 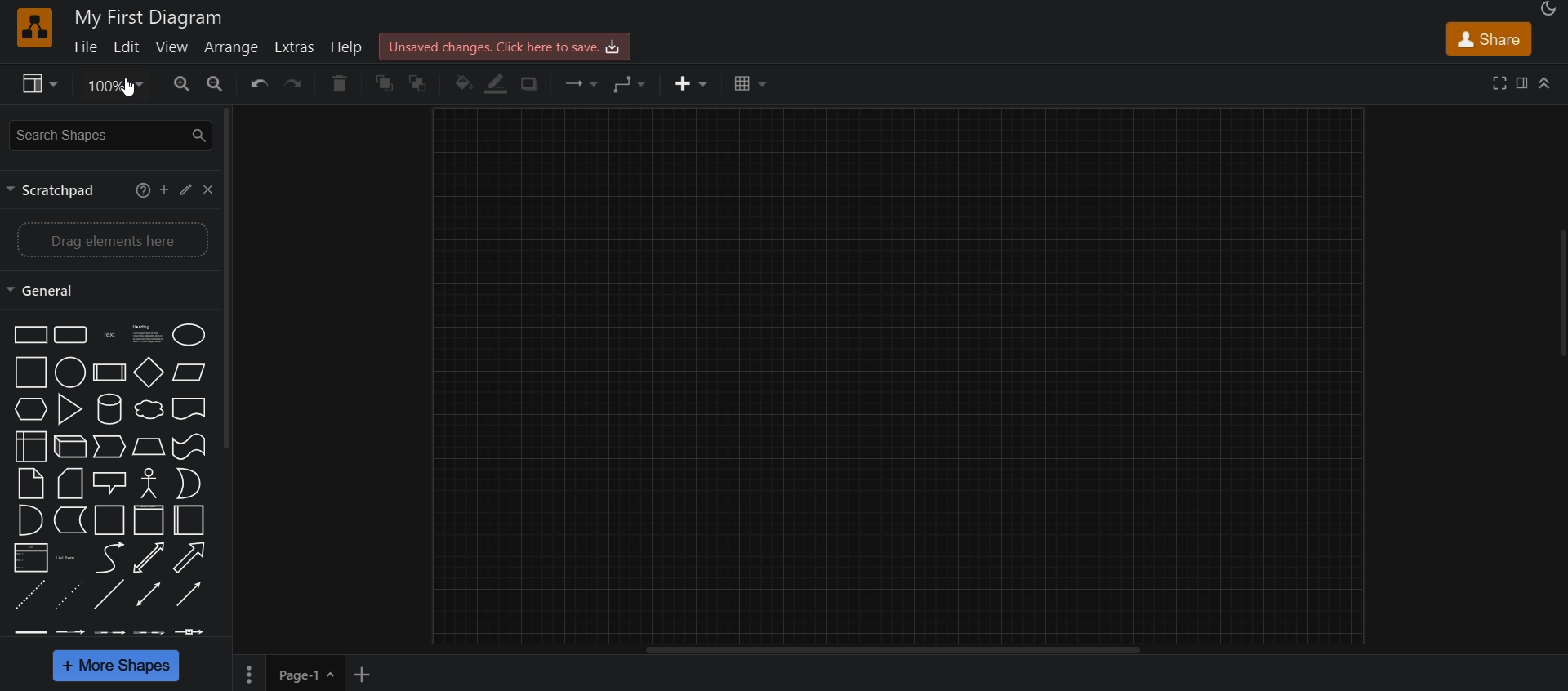 What do you see at coordinates (55, 191) in the screenshot?
I see `scratchpad` at bounding box center [55, 191].